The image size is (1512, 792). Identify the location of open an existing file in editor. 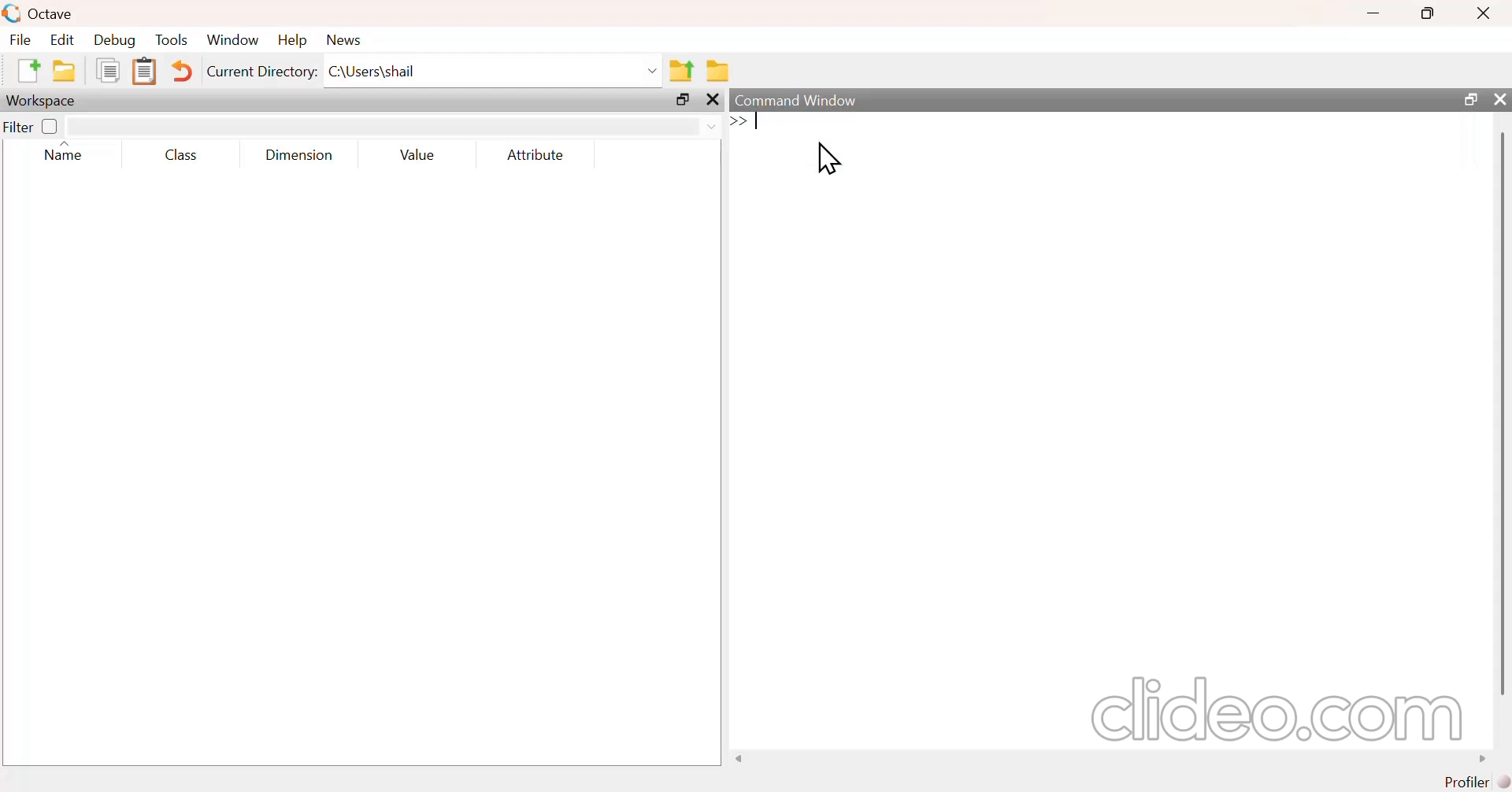
(65, 71).